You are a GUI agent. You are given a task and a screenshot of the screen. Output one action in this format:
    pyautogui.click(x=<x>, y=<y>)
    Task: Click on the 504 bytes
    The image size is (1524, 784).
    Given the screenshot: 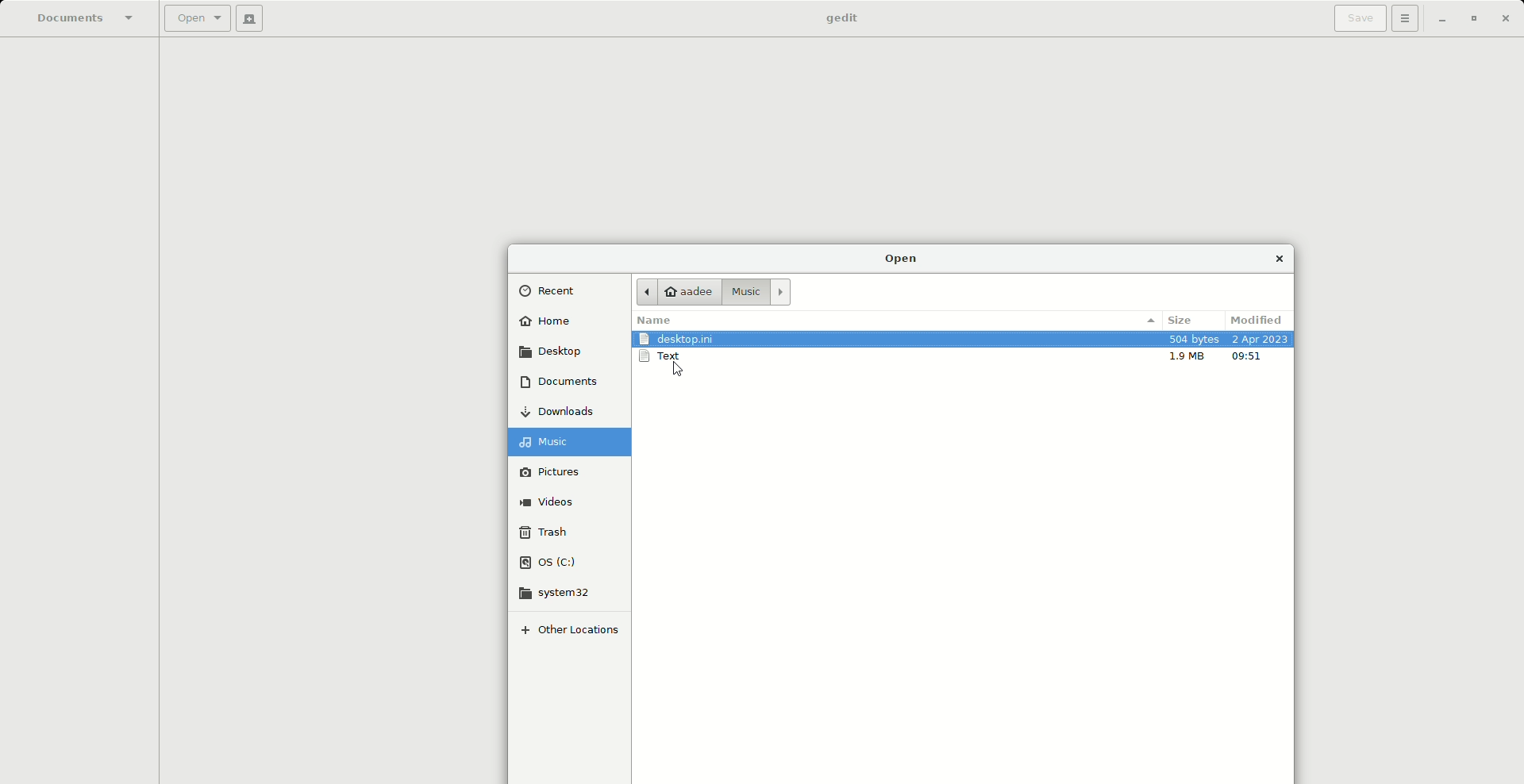 What is the action you would take?
    pyautogui.click(x=1195, y=340)
    